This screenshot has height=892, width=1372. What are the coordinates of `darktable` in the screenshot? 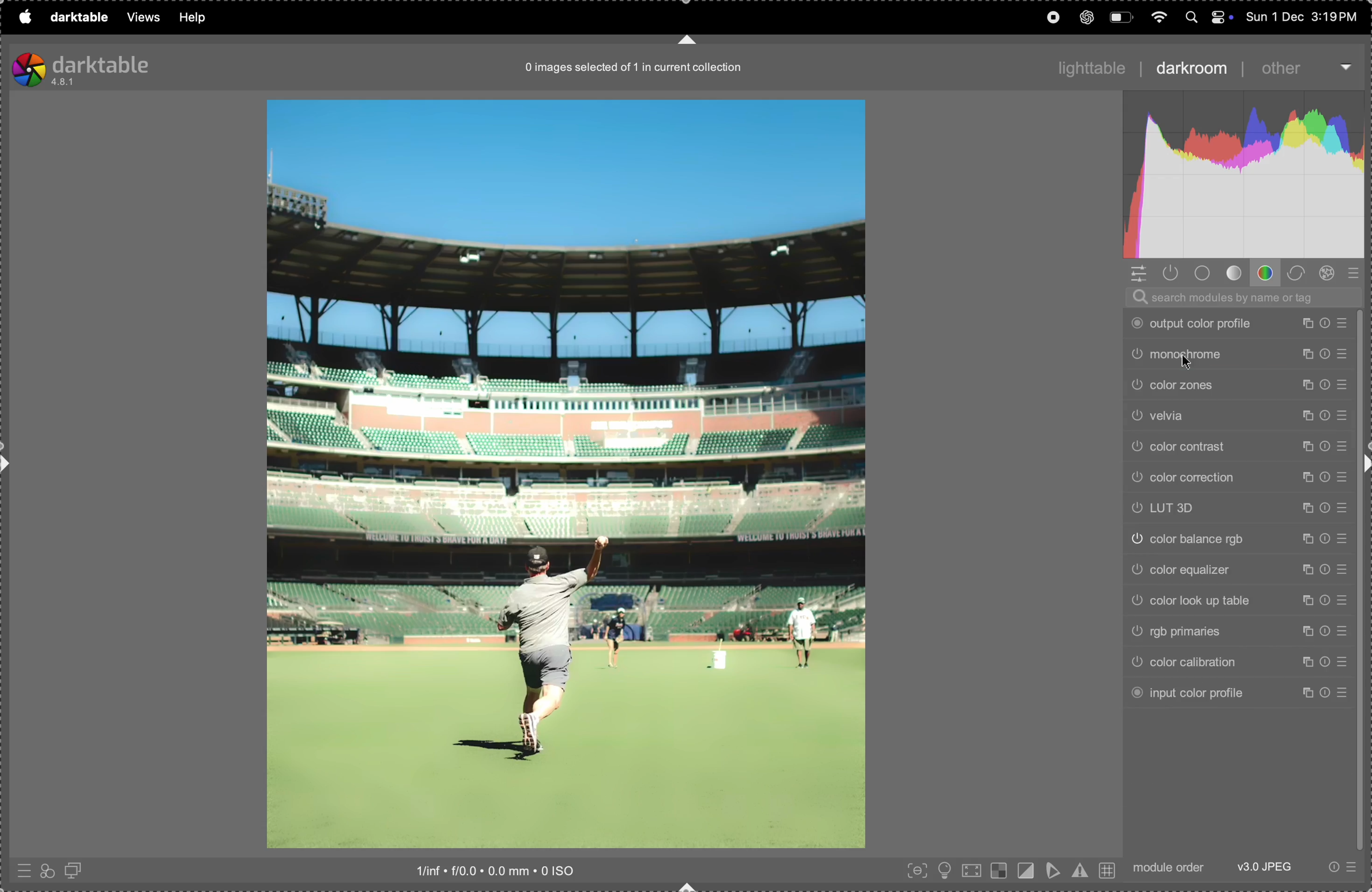 It's located at (82, 66).